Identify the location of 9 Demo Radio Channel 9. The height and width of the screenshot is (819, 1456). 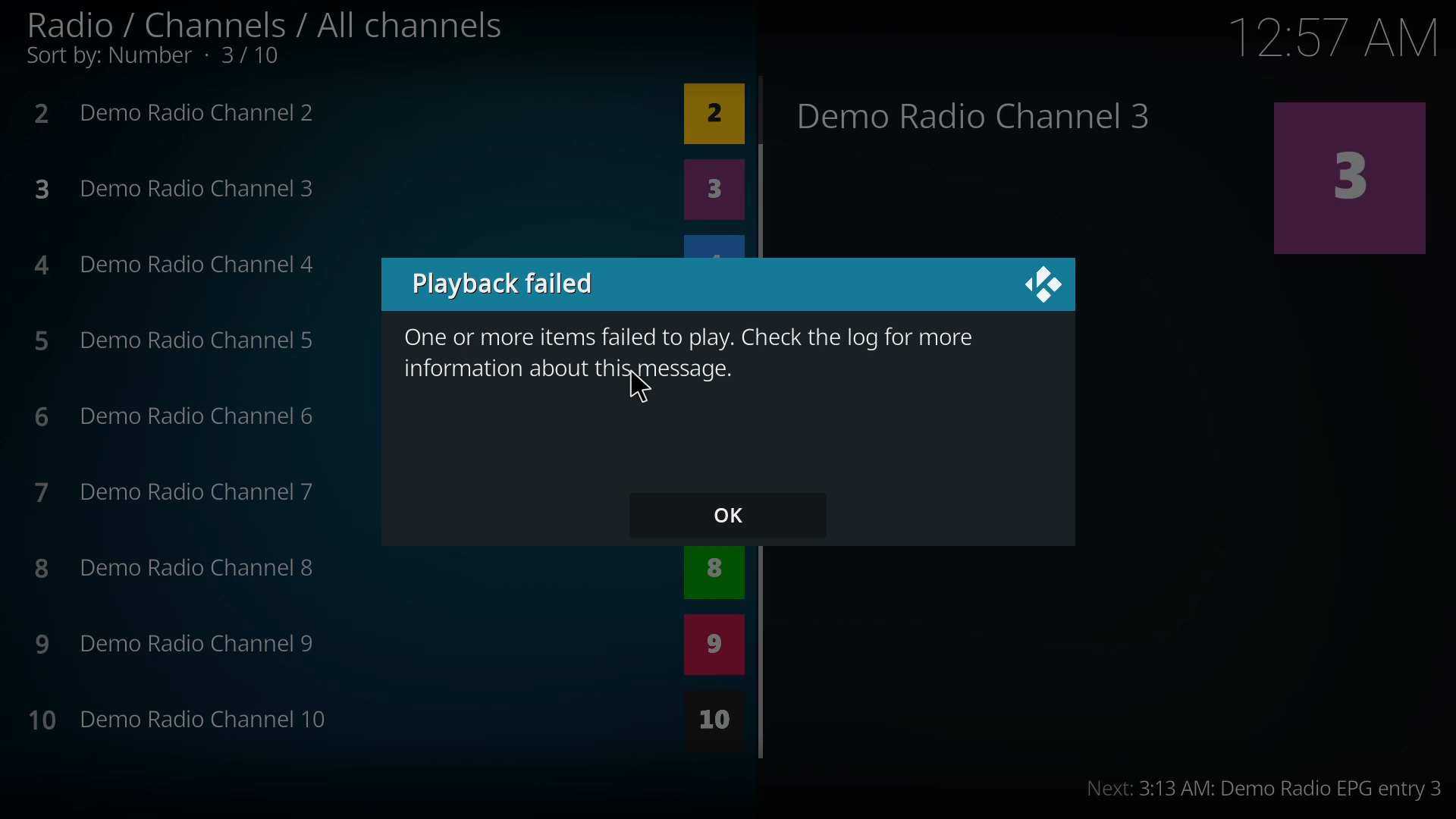
(178, 645).